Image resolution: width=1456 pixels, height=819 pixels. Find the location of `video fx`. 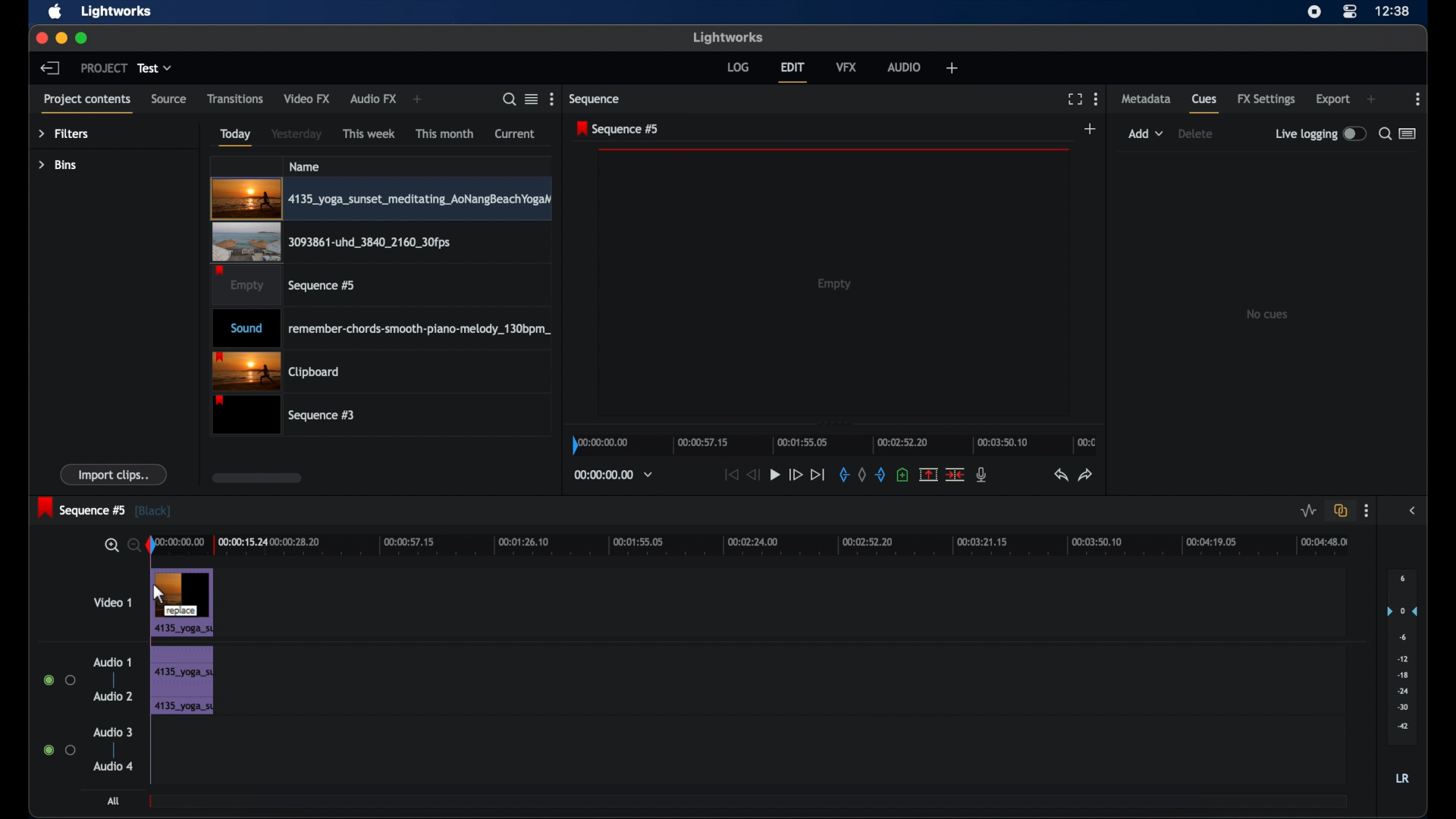

video fx is located at coordinates (308, 99).